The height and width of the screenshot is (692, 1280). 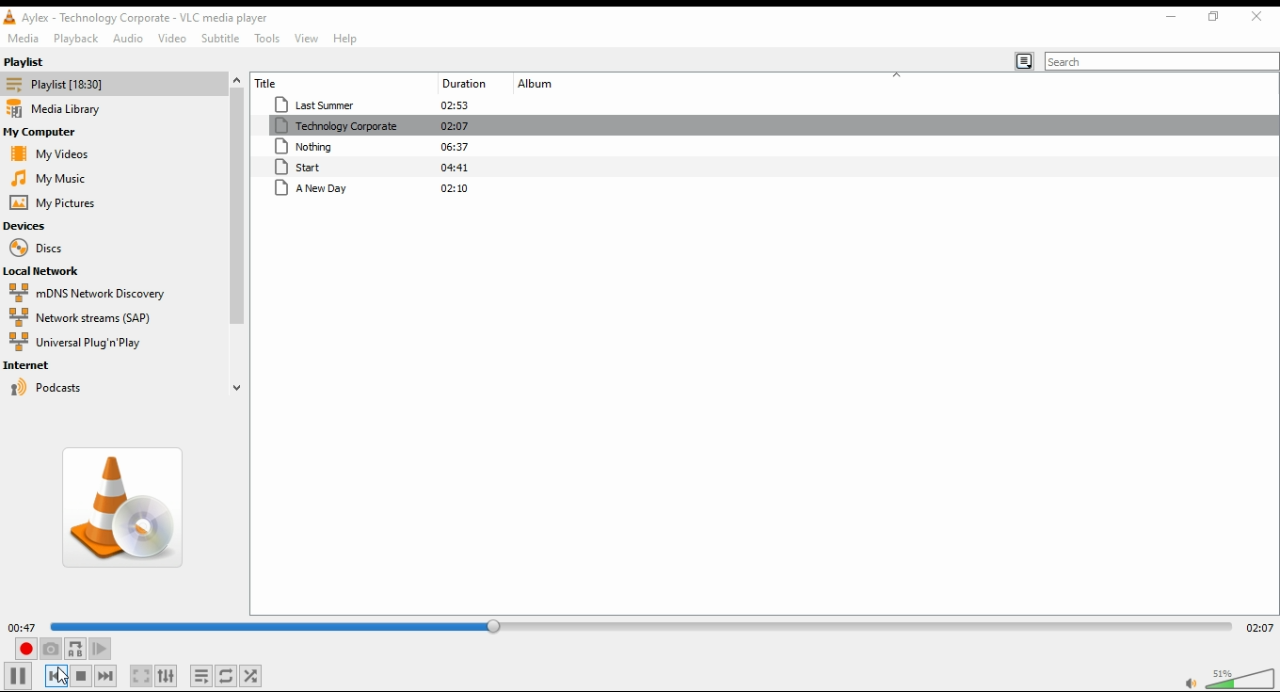 I want to click on video, so click(x=168, y=36).